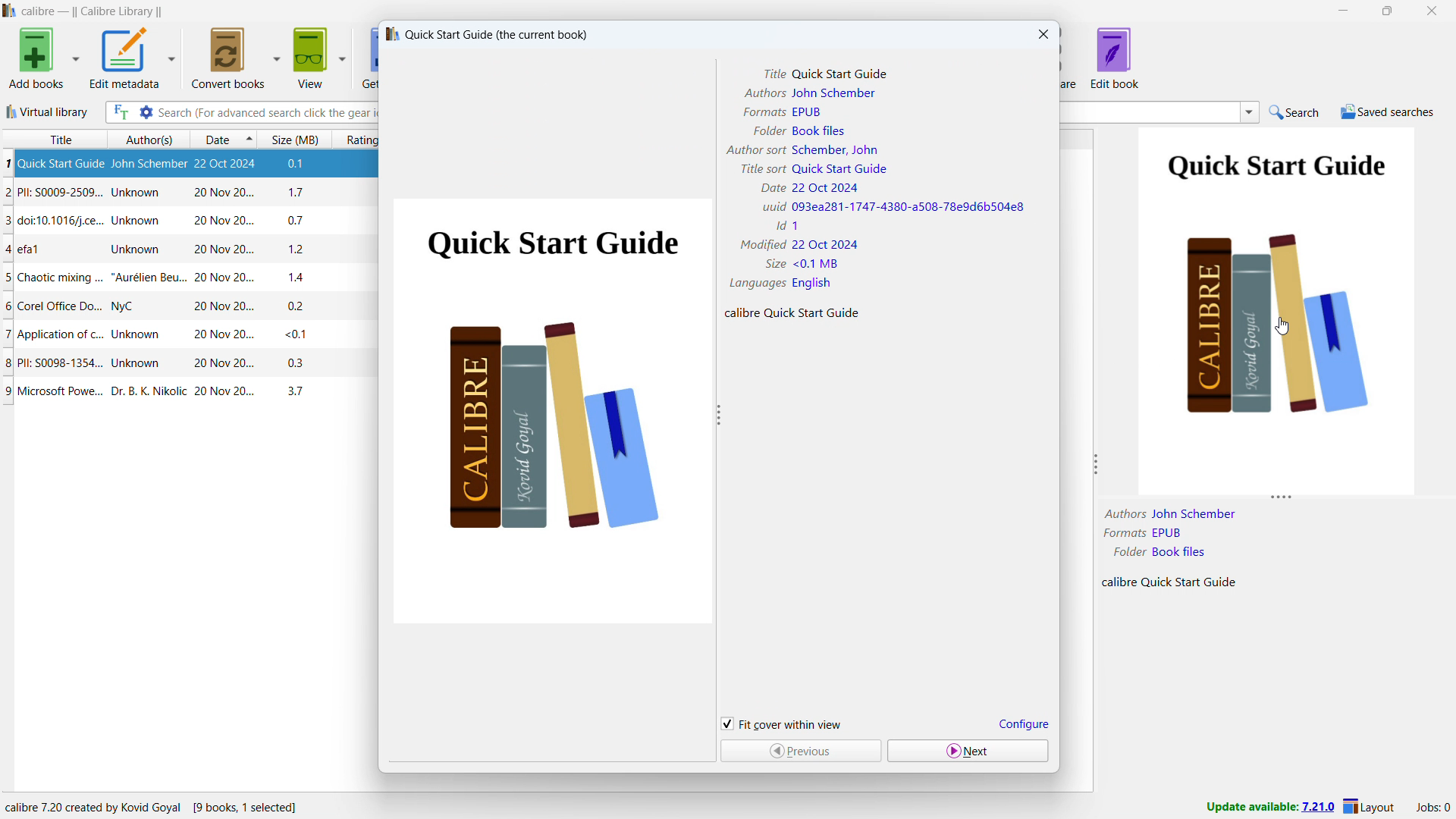 The height and width of the screenshot is (819, 1456). Describe the element at coordinates (276, 57) in the screenshot. I see `convert books options` at that location.